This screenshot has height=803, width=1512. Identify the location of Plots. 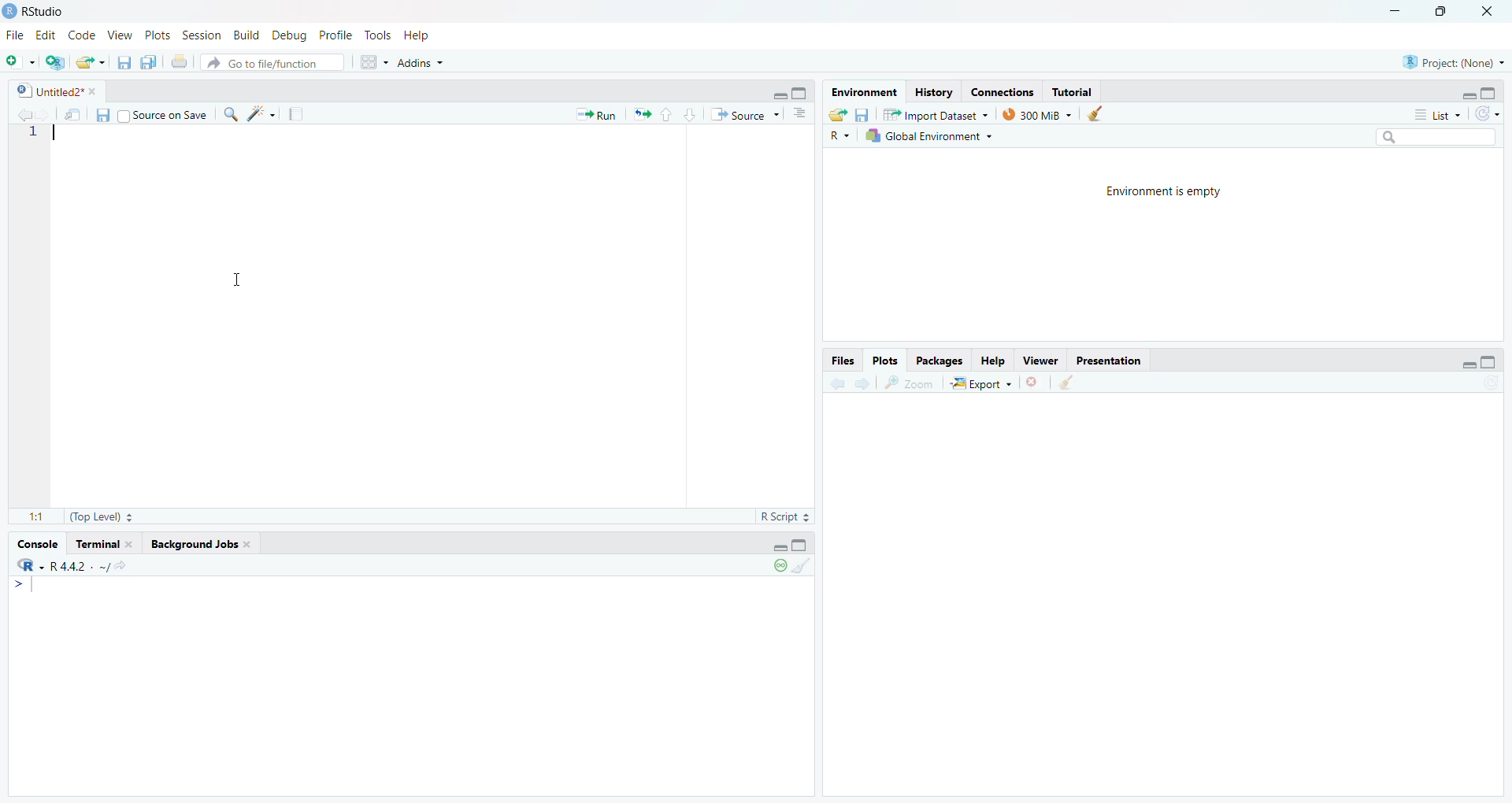
(158, 37).